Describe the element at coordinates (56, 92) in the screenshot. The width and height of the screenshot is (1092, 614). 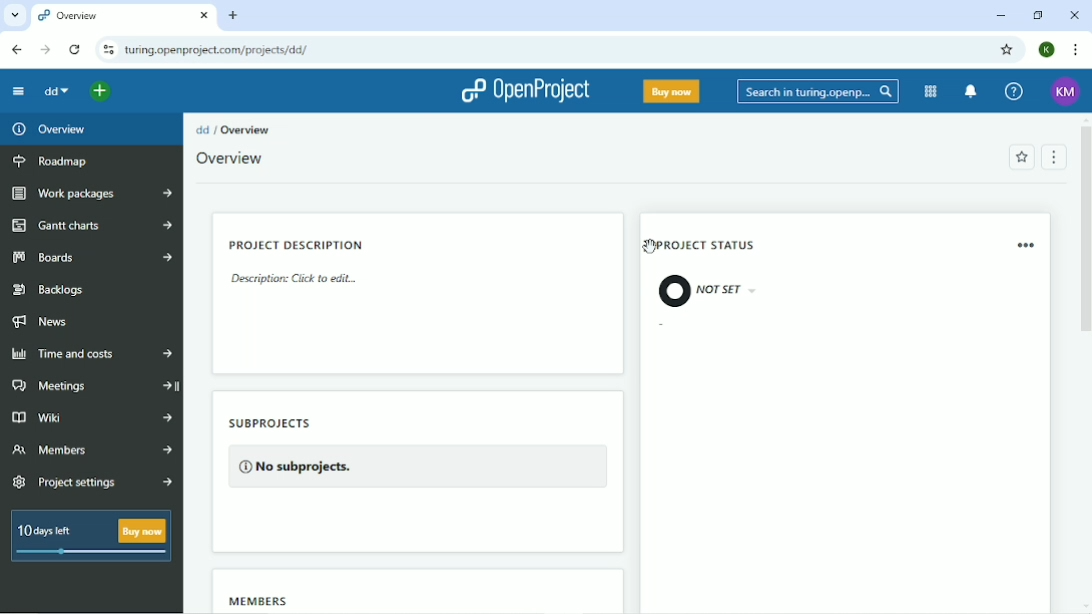
I see `dd` at that location.